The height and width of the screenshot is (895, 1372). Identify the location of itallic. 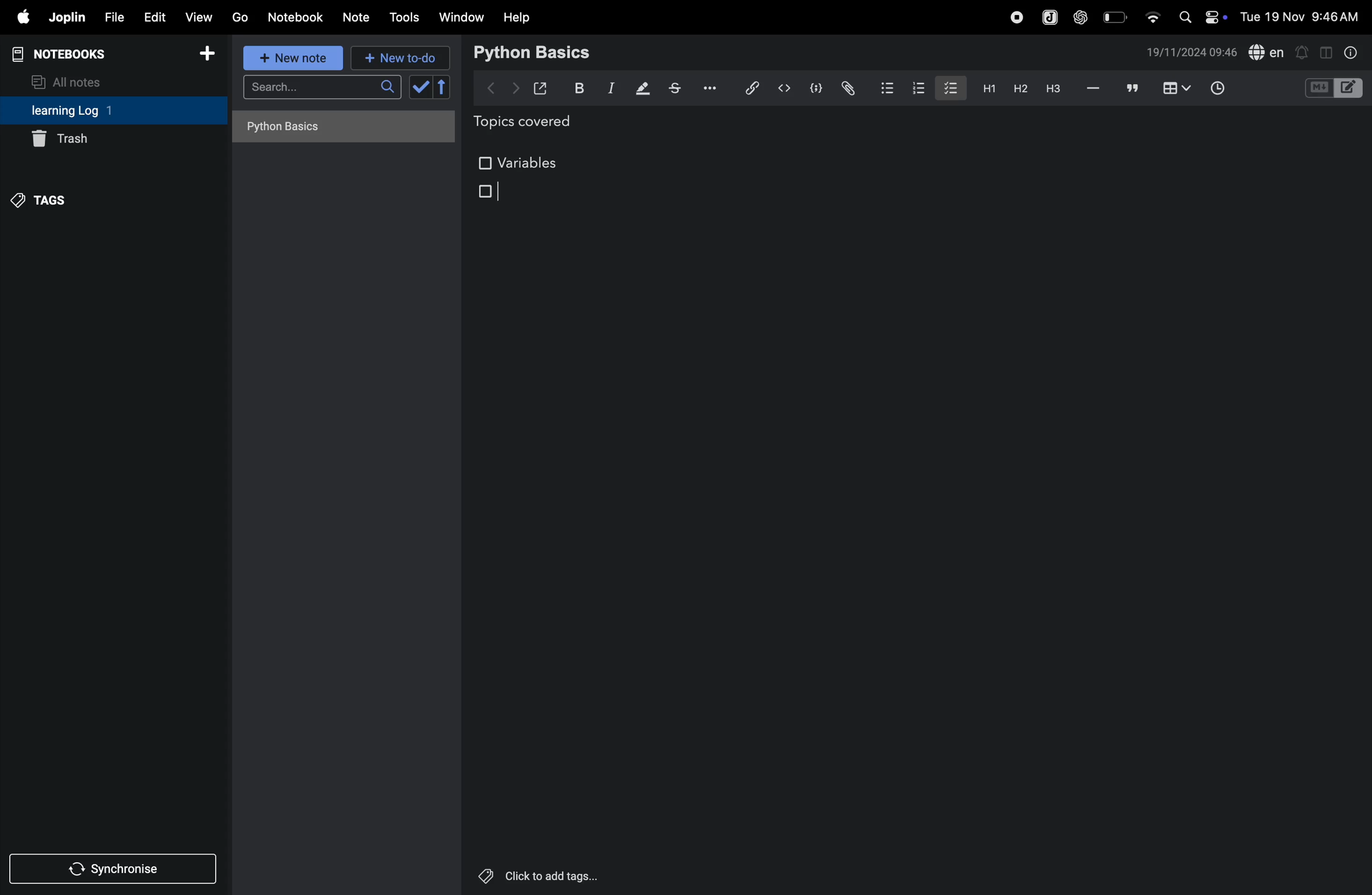
(609, 89).